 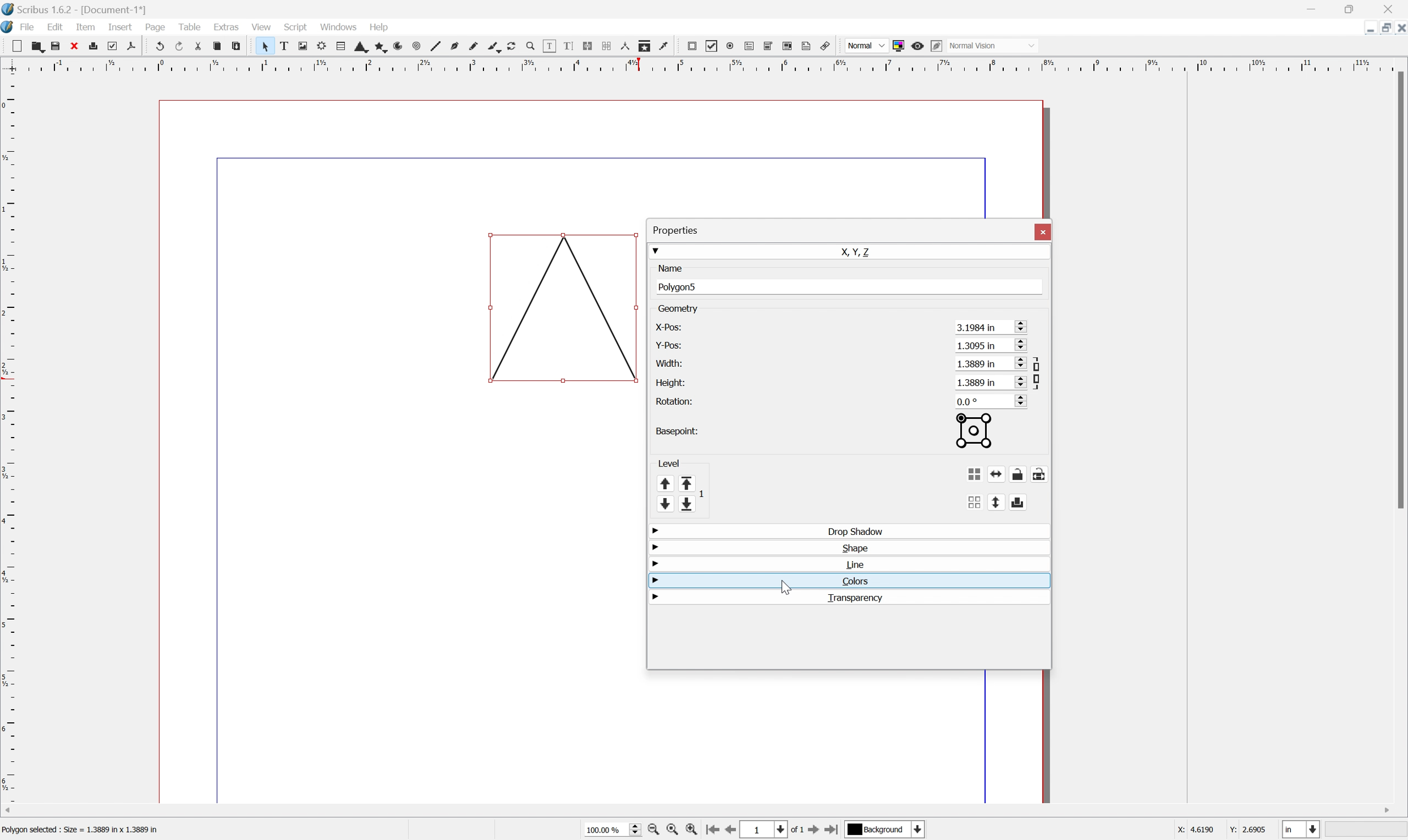 I want to click on Bezier curve, so click(x=453, y=45).